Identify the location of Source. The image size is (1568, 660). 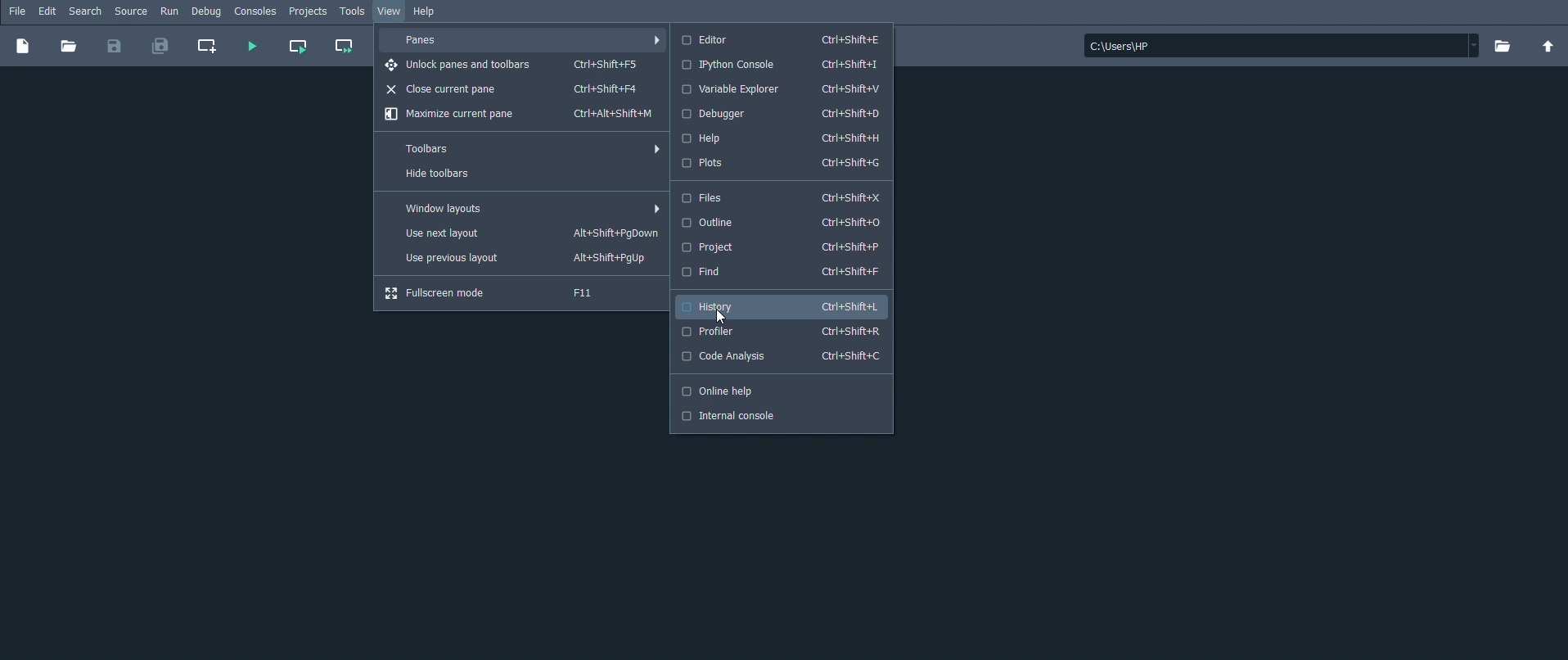
(131, 11).